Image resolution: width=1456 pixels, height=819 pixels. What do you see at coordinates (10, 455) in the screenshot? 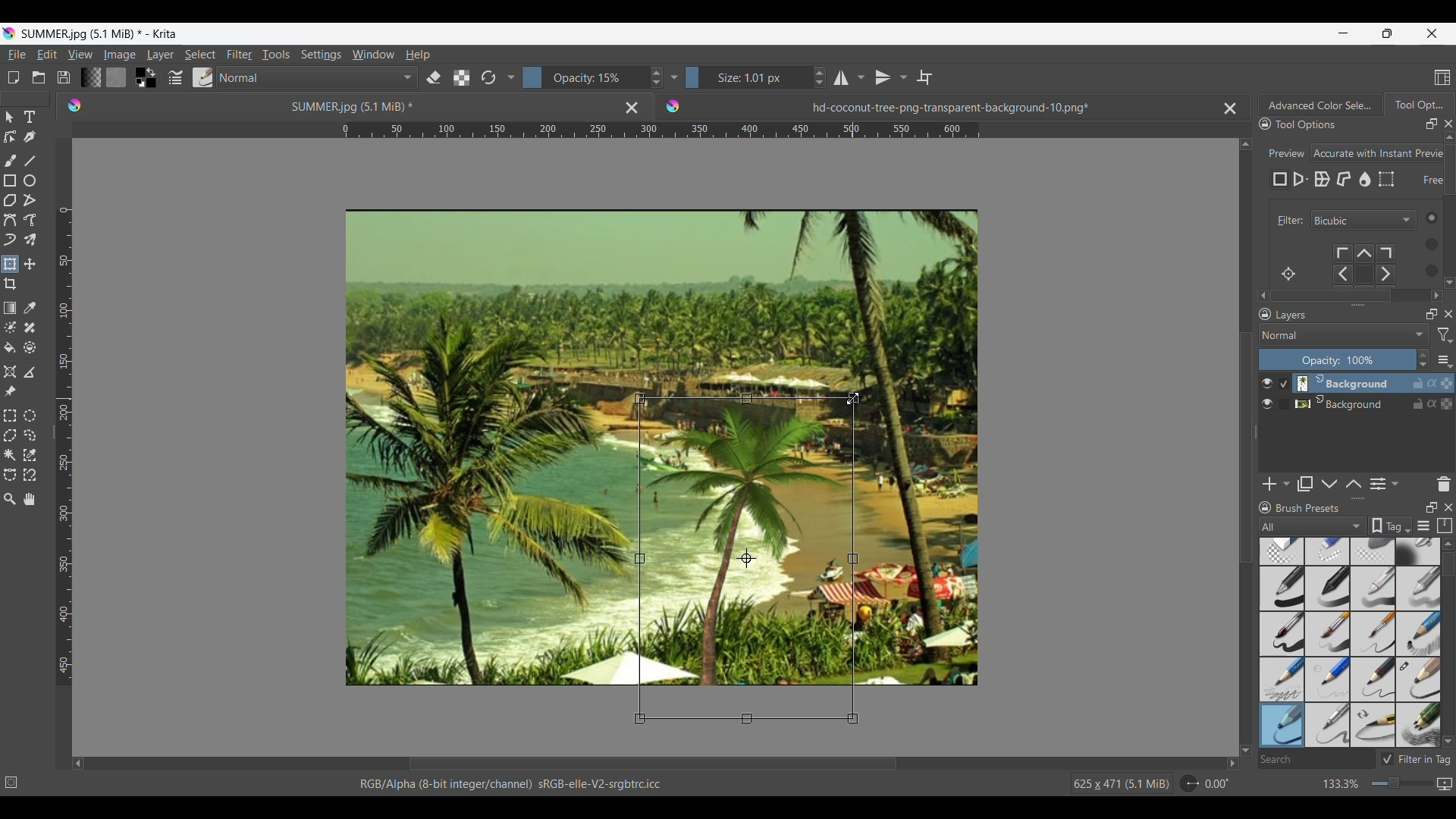
I see `Contiguous selection tool` at bounding box center [10, 455].